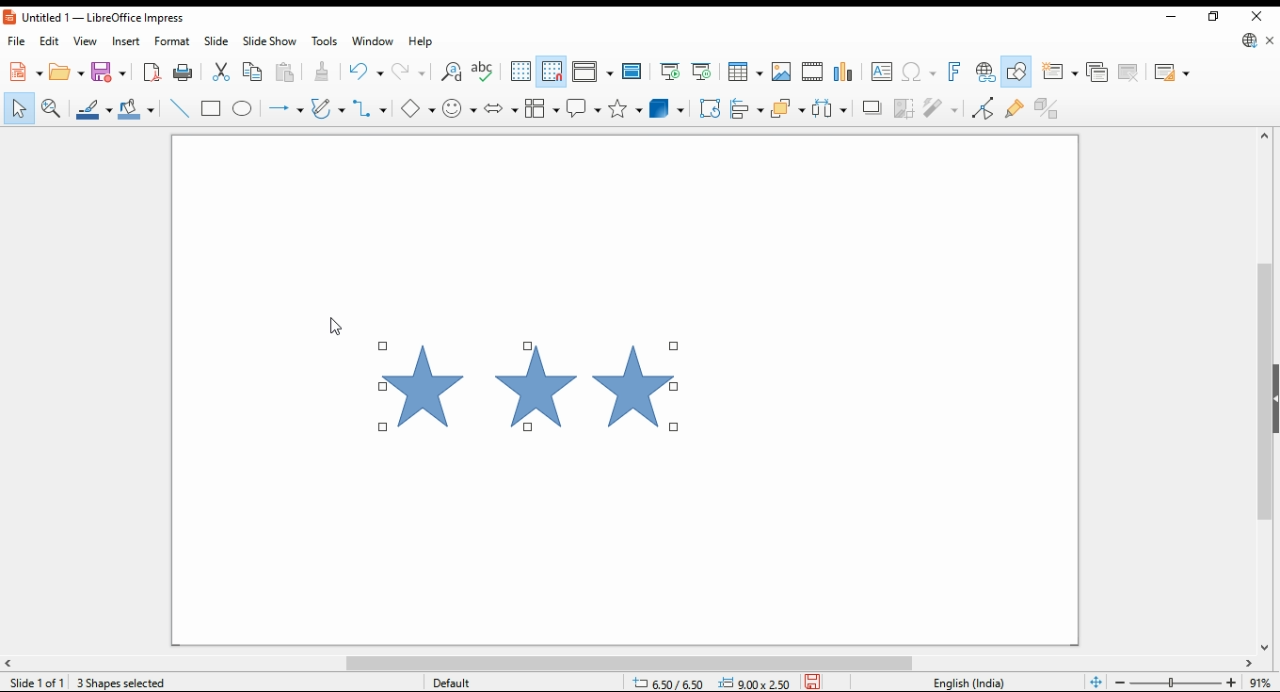  I want to click on rectangle, so click(211, 108).